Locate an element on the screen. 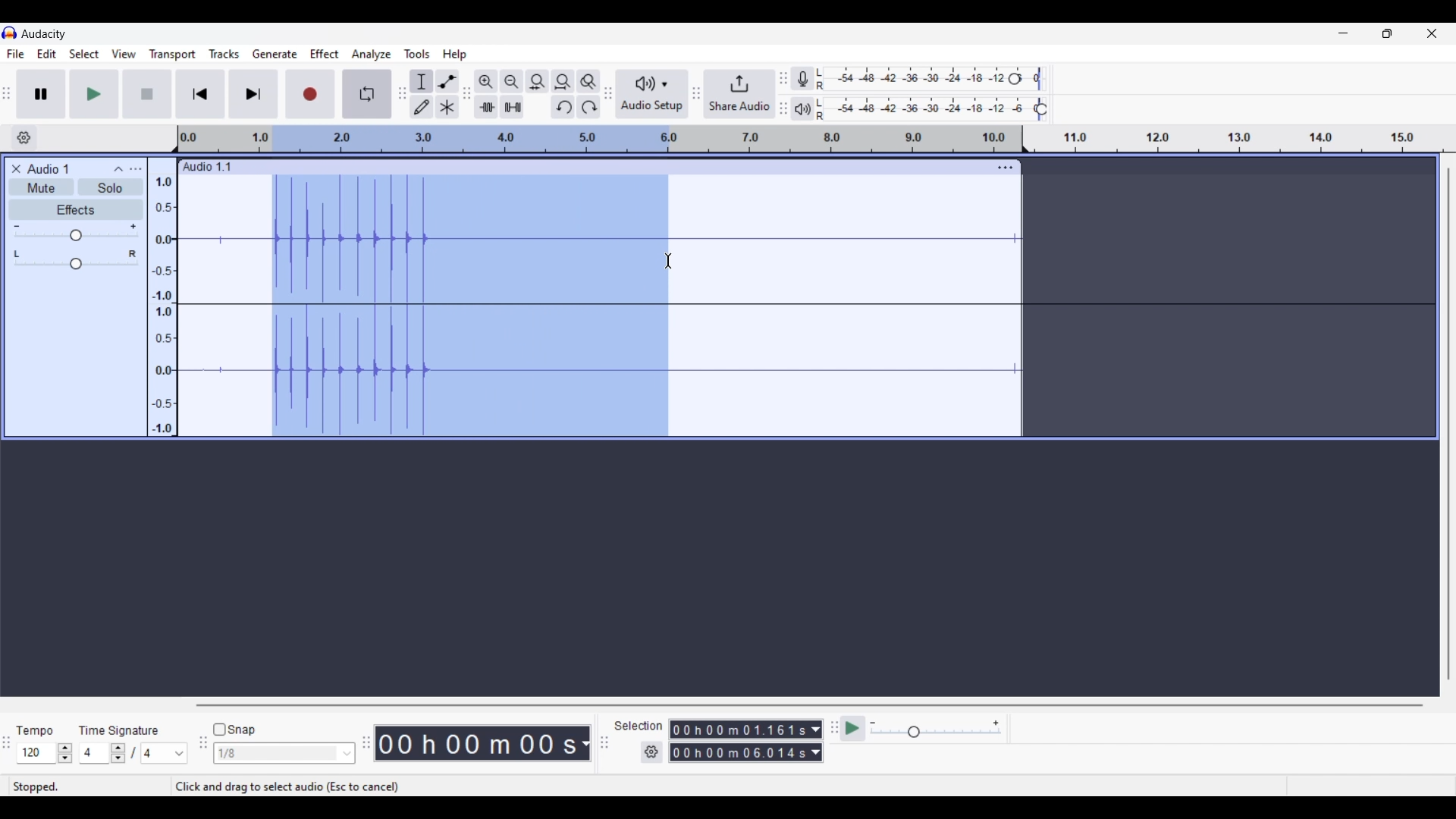 The width and height of the screenshot is (1456, 819). Pan to left is located at coordinates (17, 254).